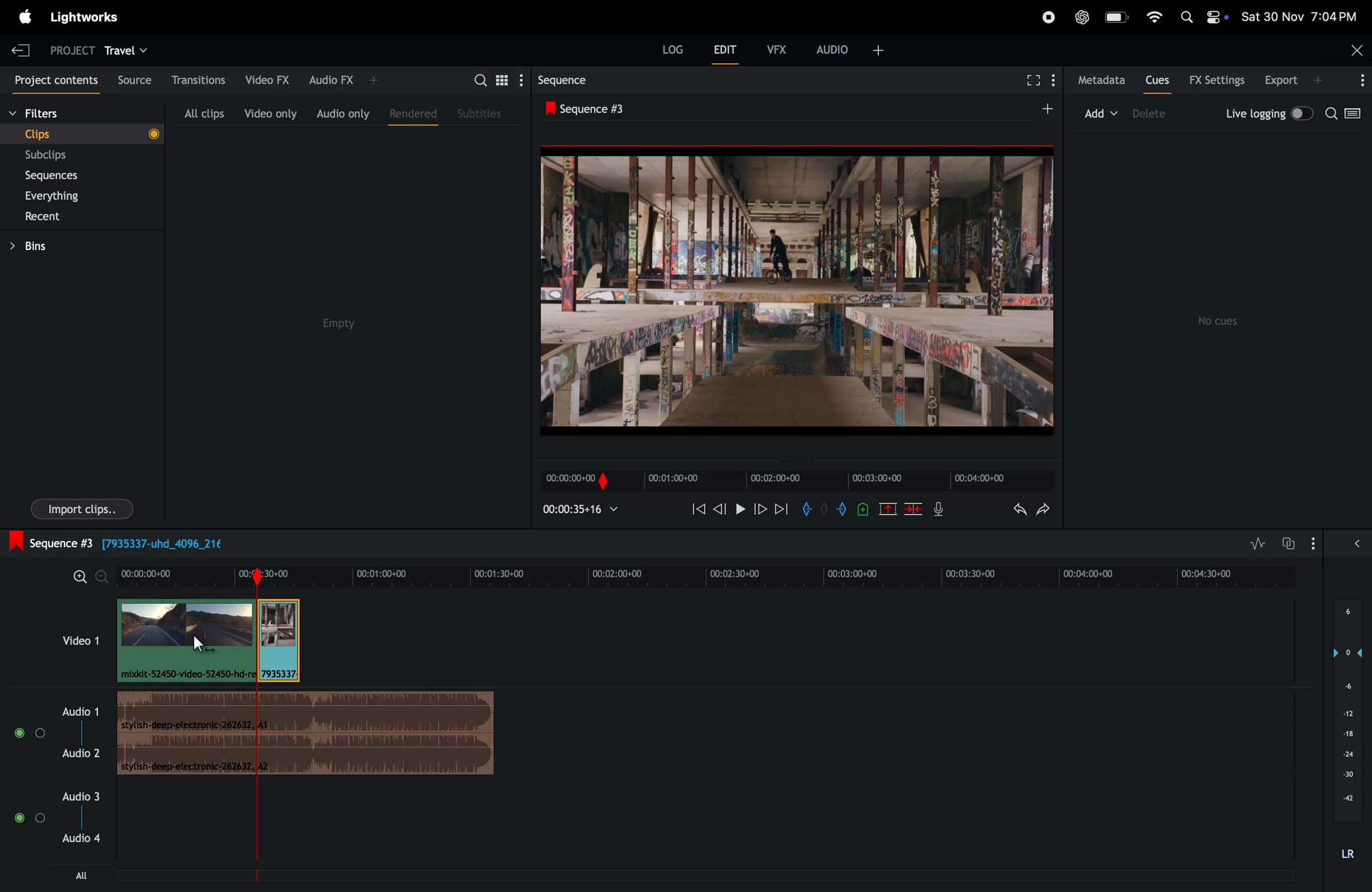 The height and width of the screenshot is (892, 1372). I want to click on vfx, so click(780, 51).